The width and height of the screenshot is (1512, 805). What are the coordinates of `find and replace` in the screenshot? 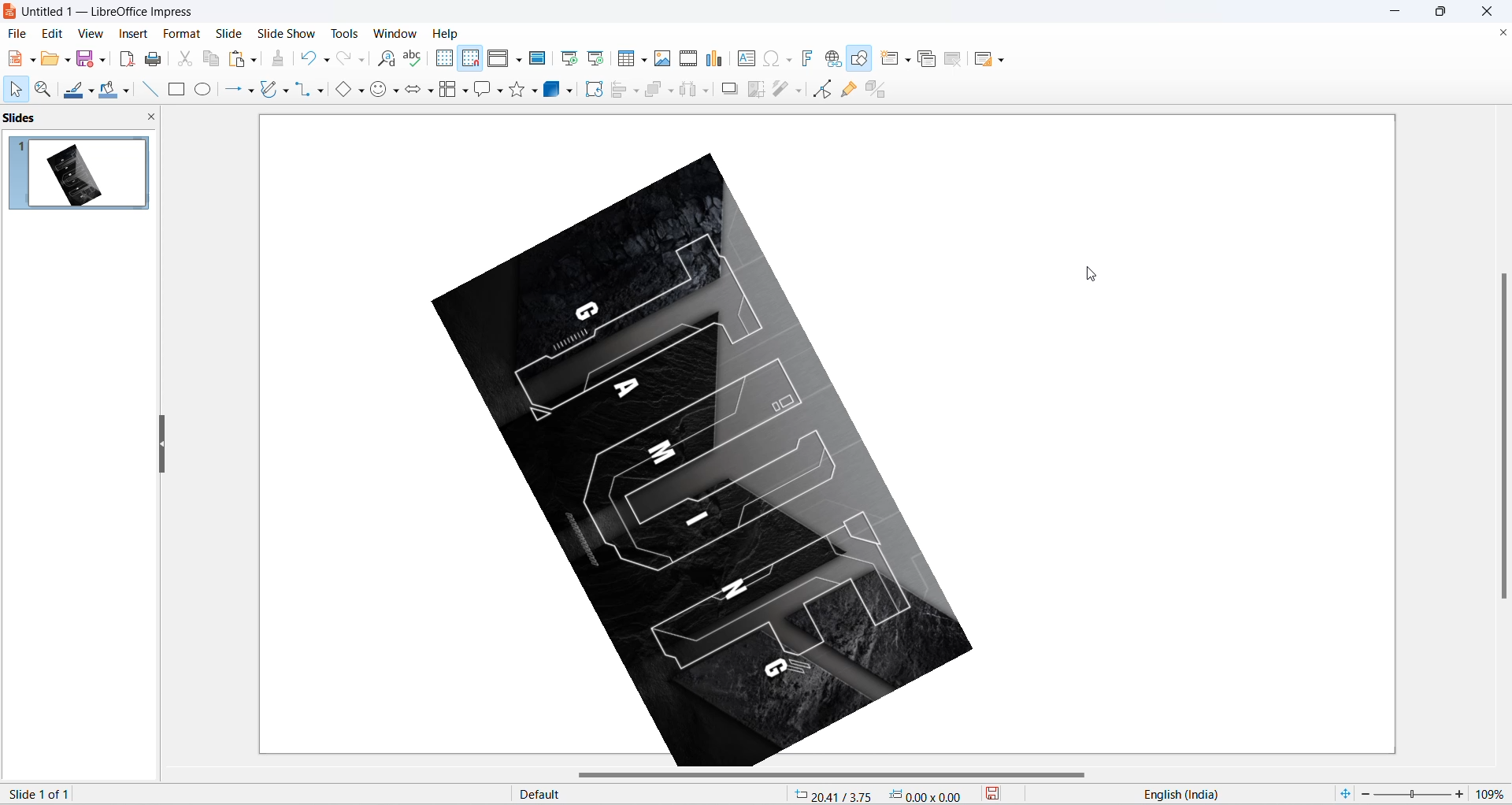 It's located at (389, 59).